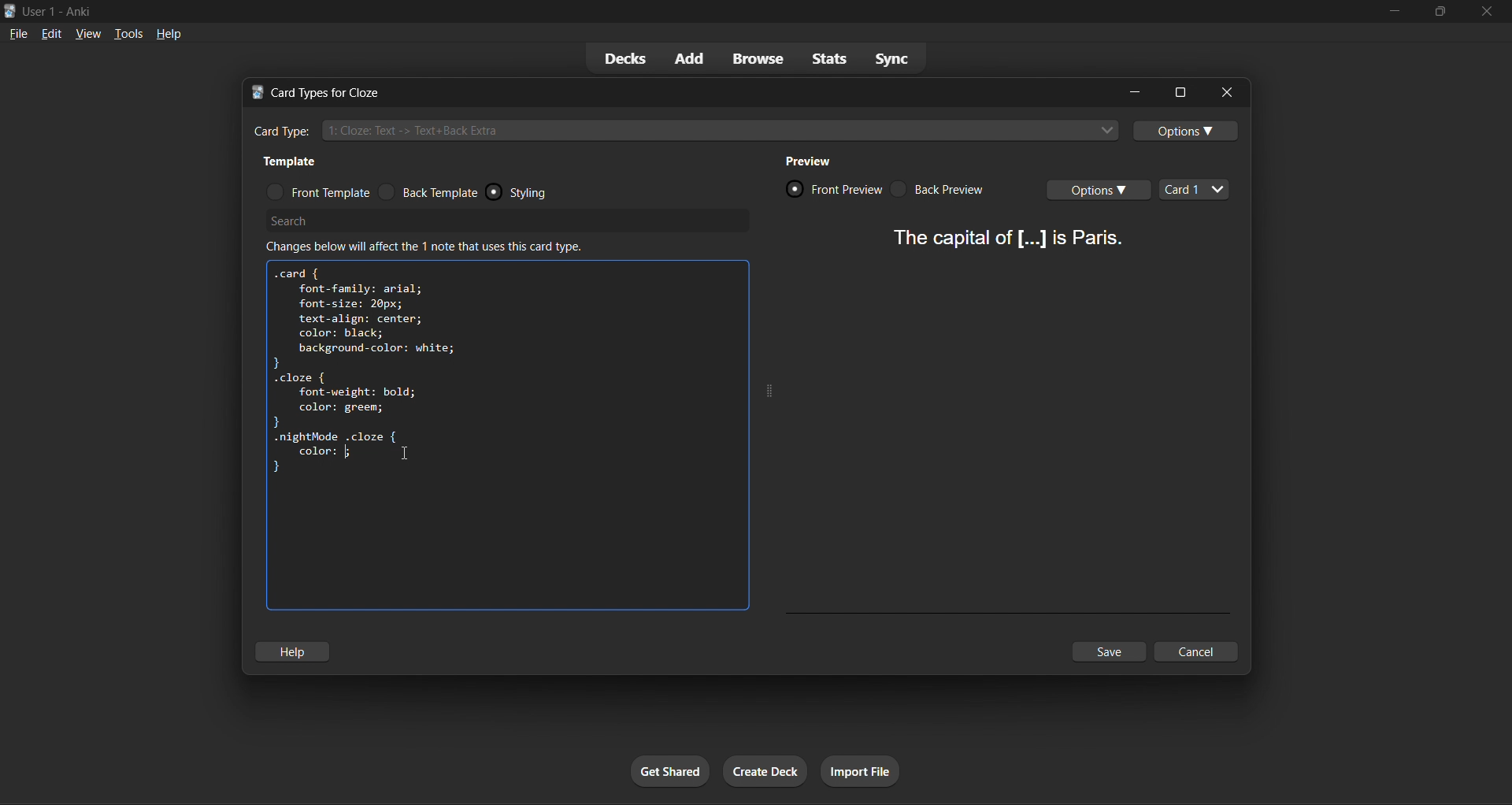 The height and width of the screenshot is (805, 1512). I want to click on text cursor, so click(406, 451).